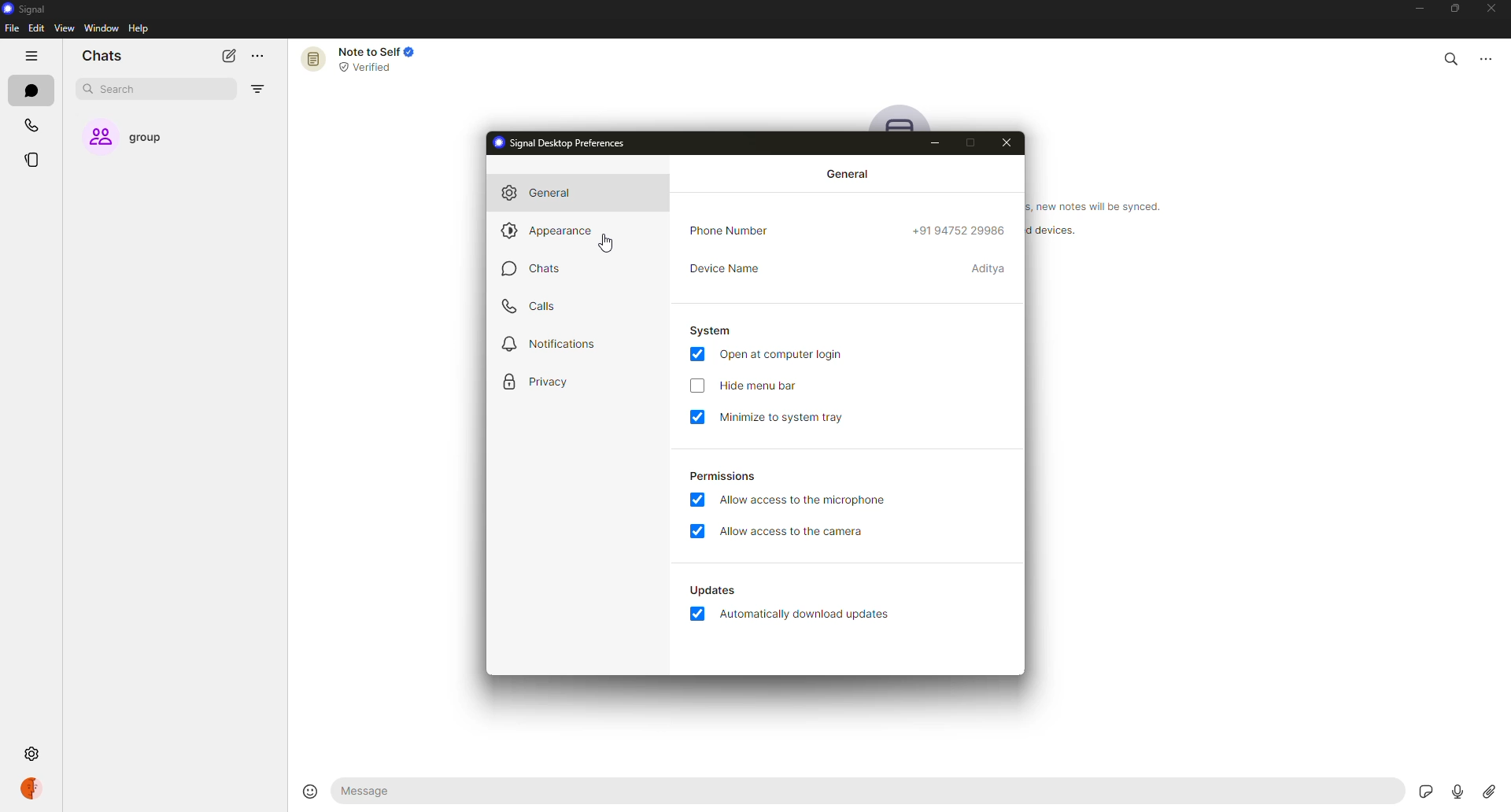 The height and width of the screenshot is (812, 1511). I want to click on cursor, so click(606, 244).